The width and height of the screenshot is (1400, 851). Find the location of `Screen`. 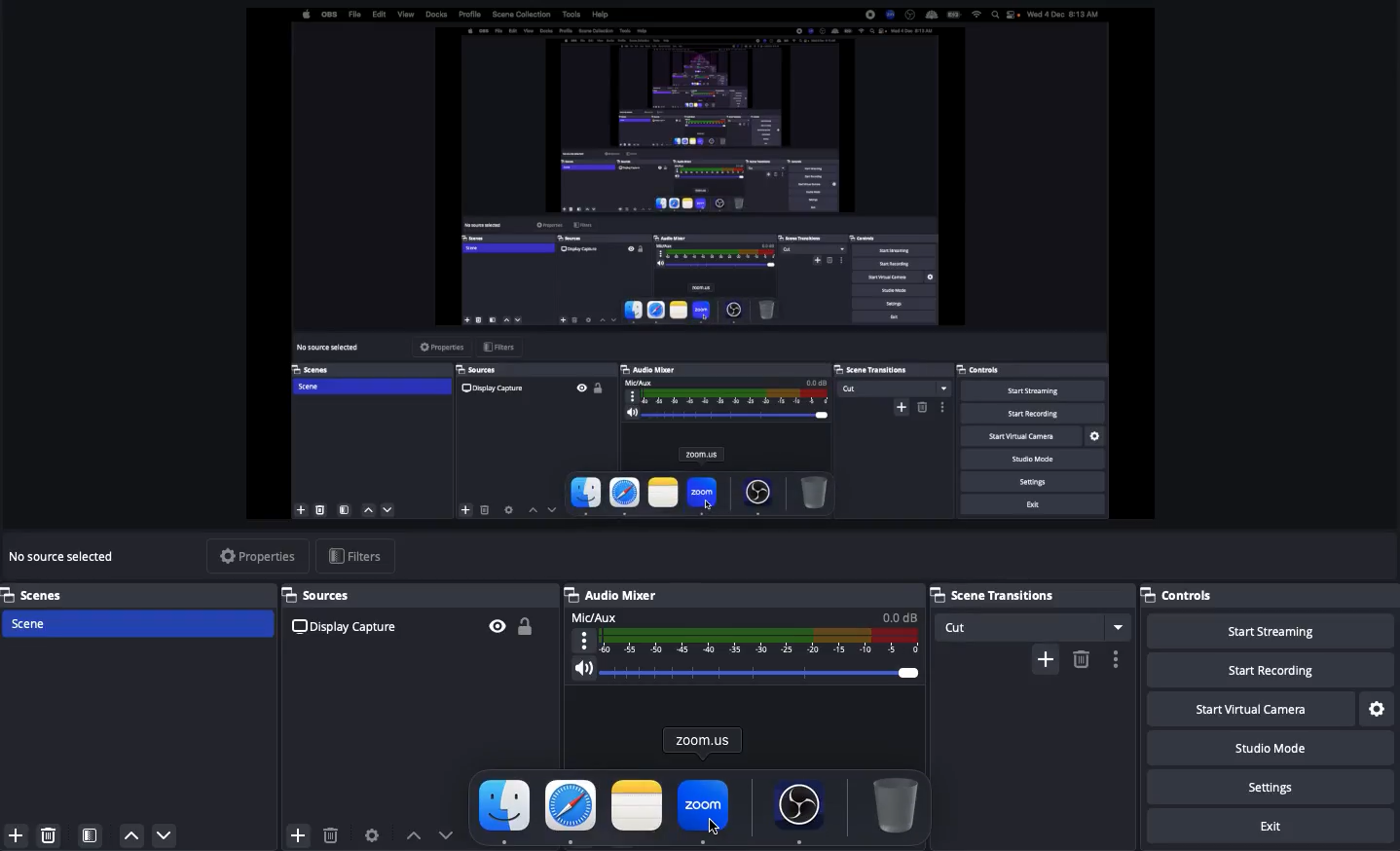

Screen is located at coordinates (703, 264).